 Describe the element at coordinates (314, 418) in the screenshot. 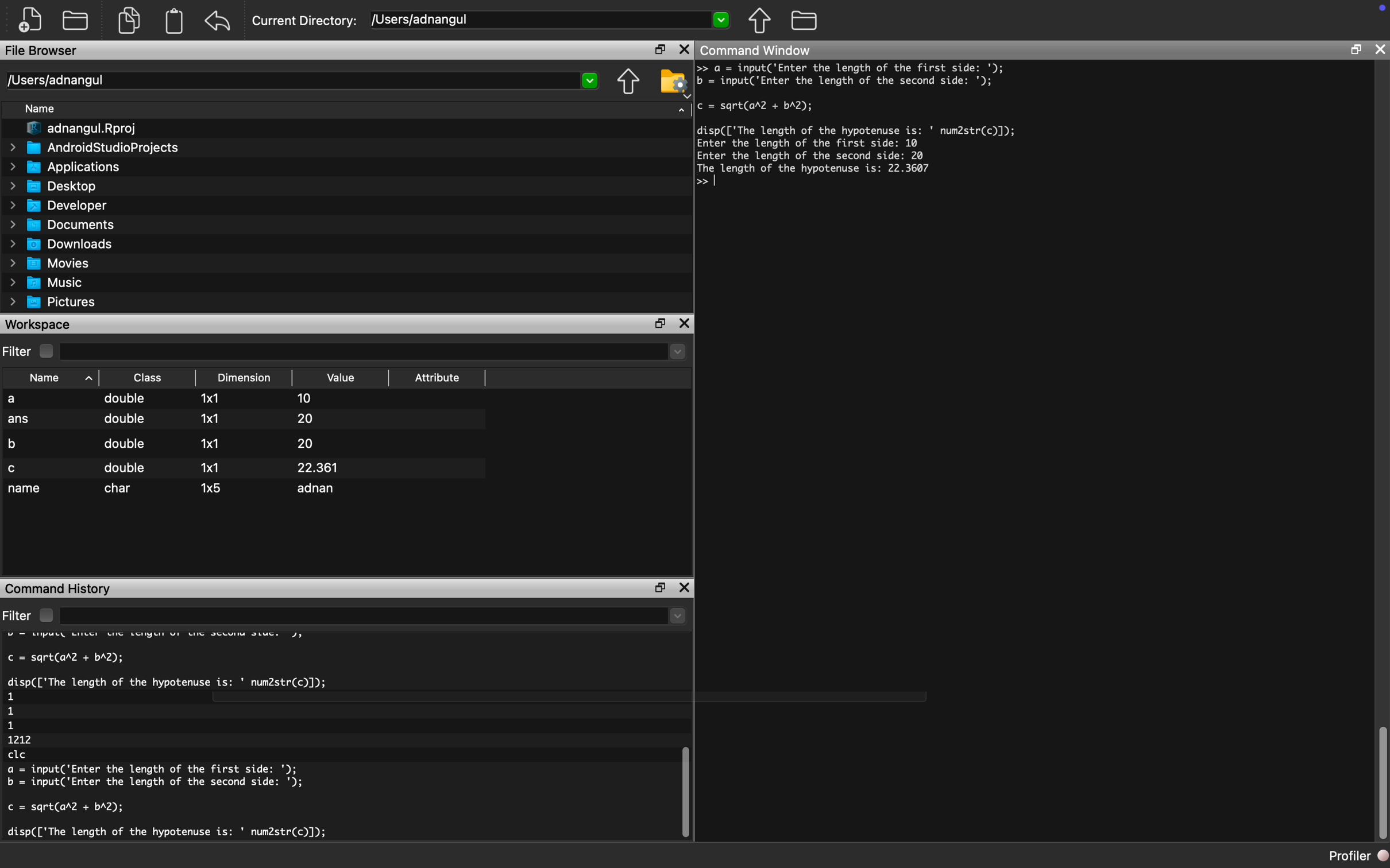

I see `20` at that location.